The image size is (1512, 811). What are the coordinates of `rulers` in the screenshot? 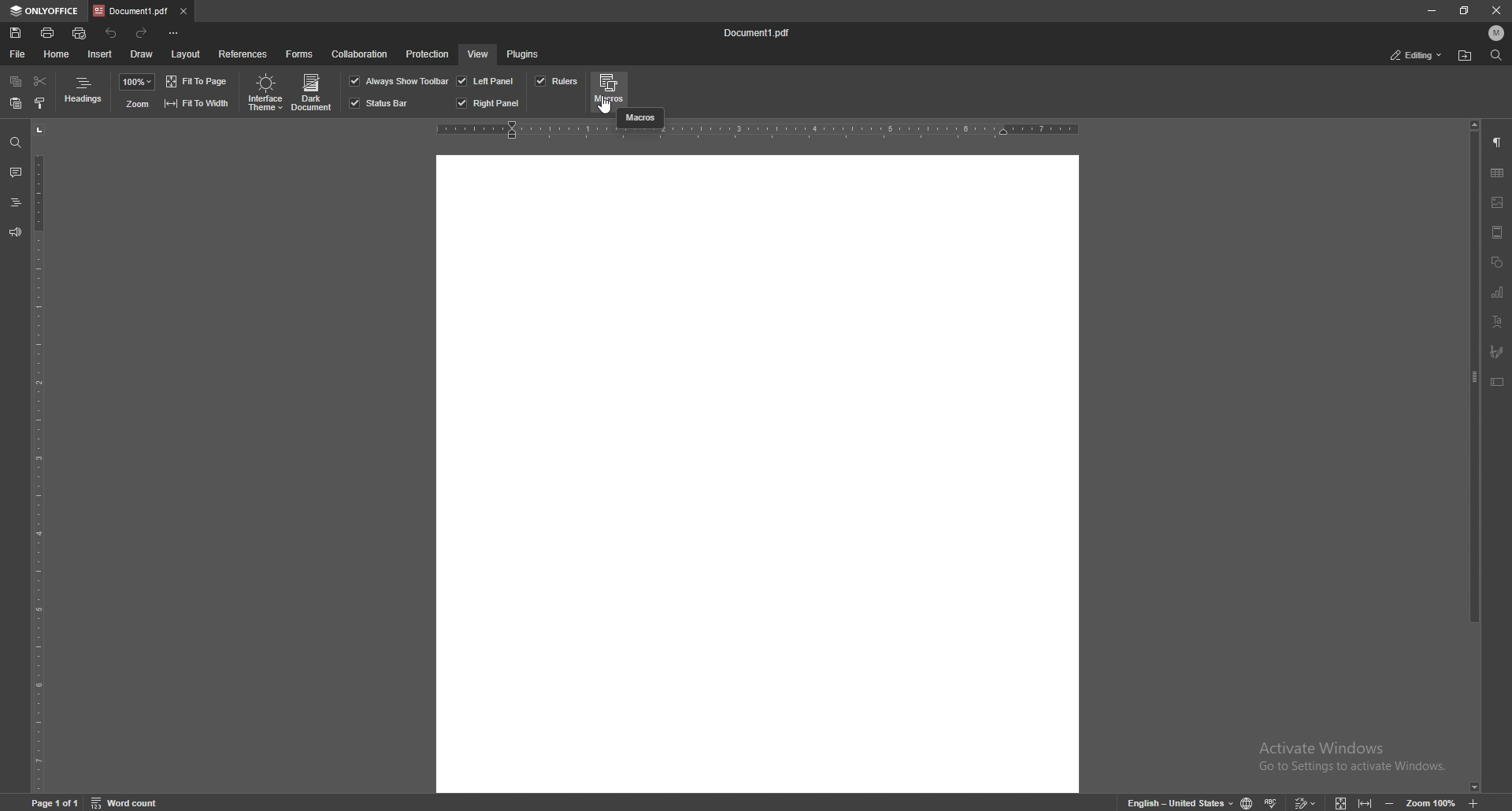 It's located at (556, 81).